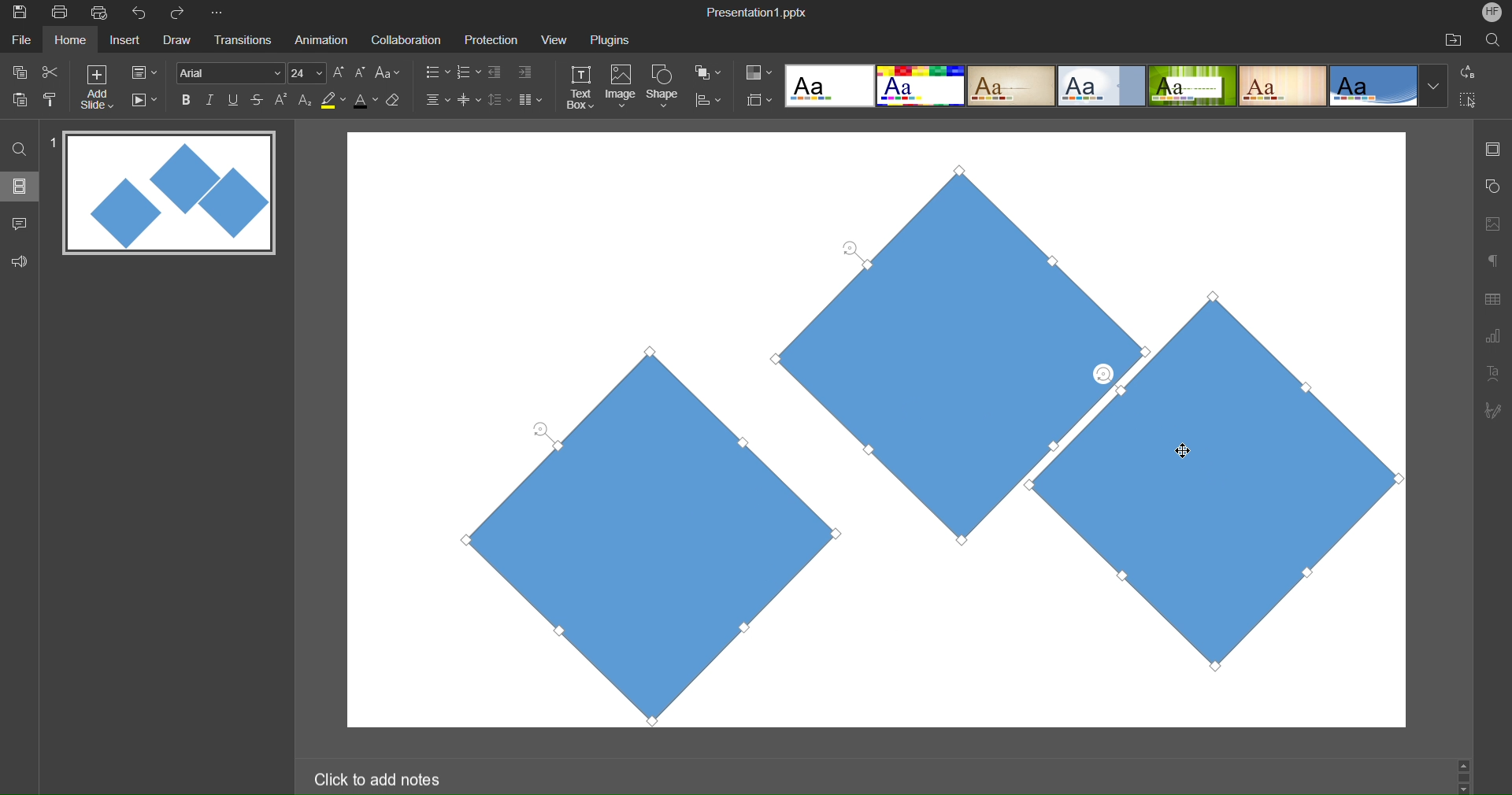 This screenshot has width=1512, height=795. What do you see at coordinates (1492, 410) in the screenshot?
I see `Signature` at bounding box center [1492, 410].